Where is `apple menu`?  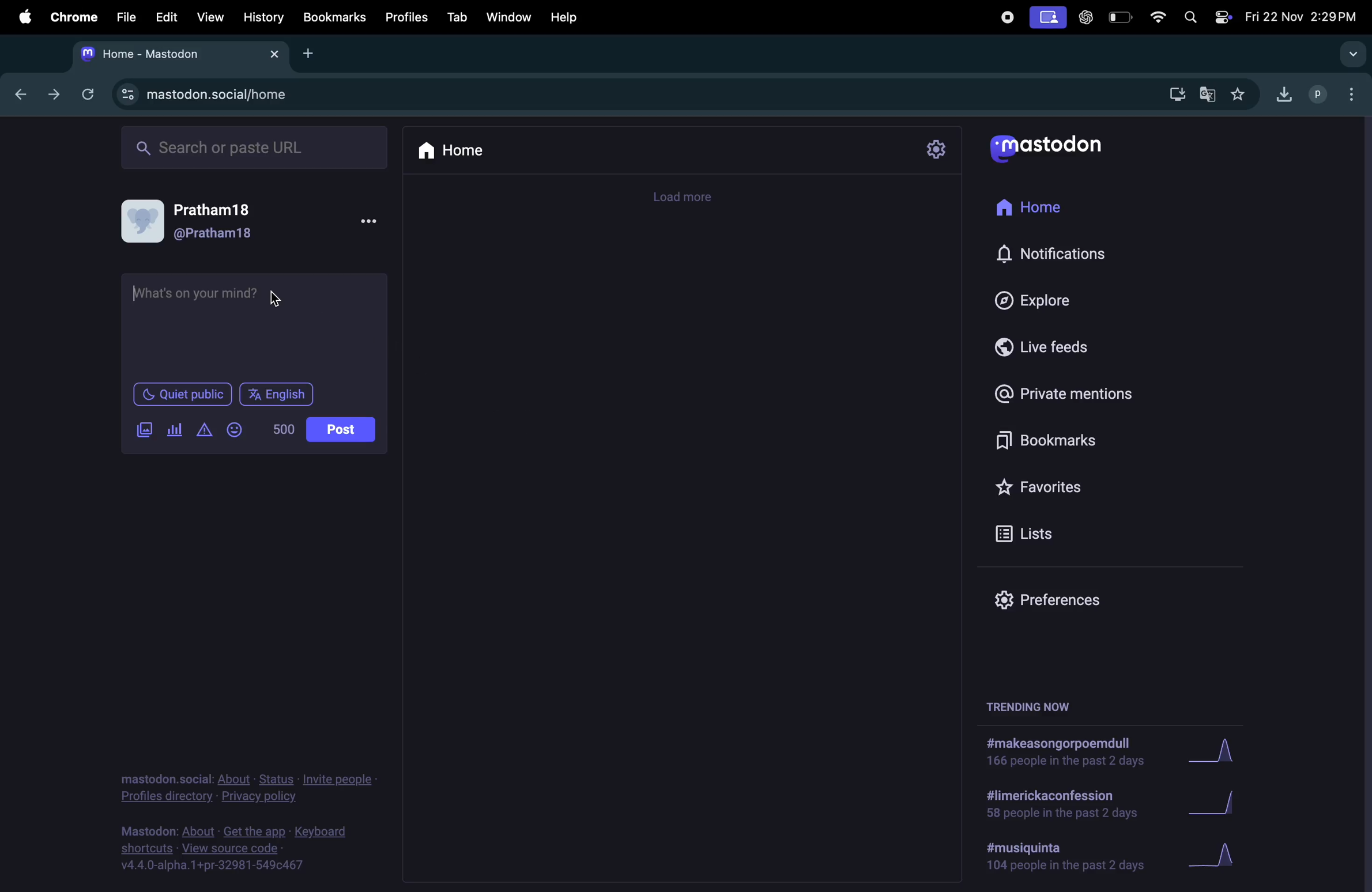
apple menu is located at coordinates (21, 16).